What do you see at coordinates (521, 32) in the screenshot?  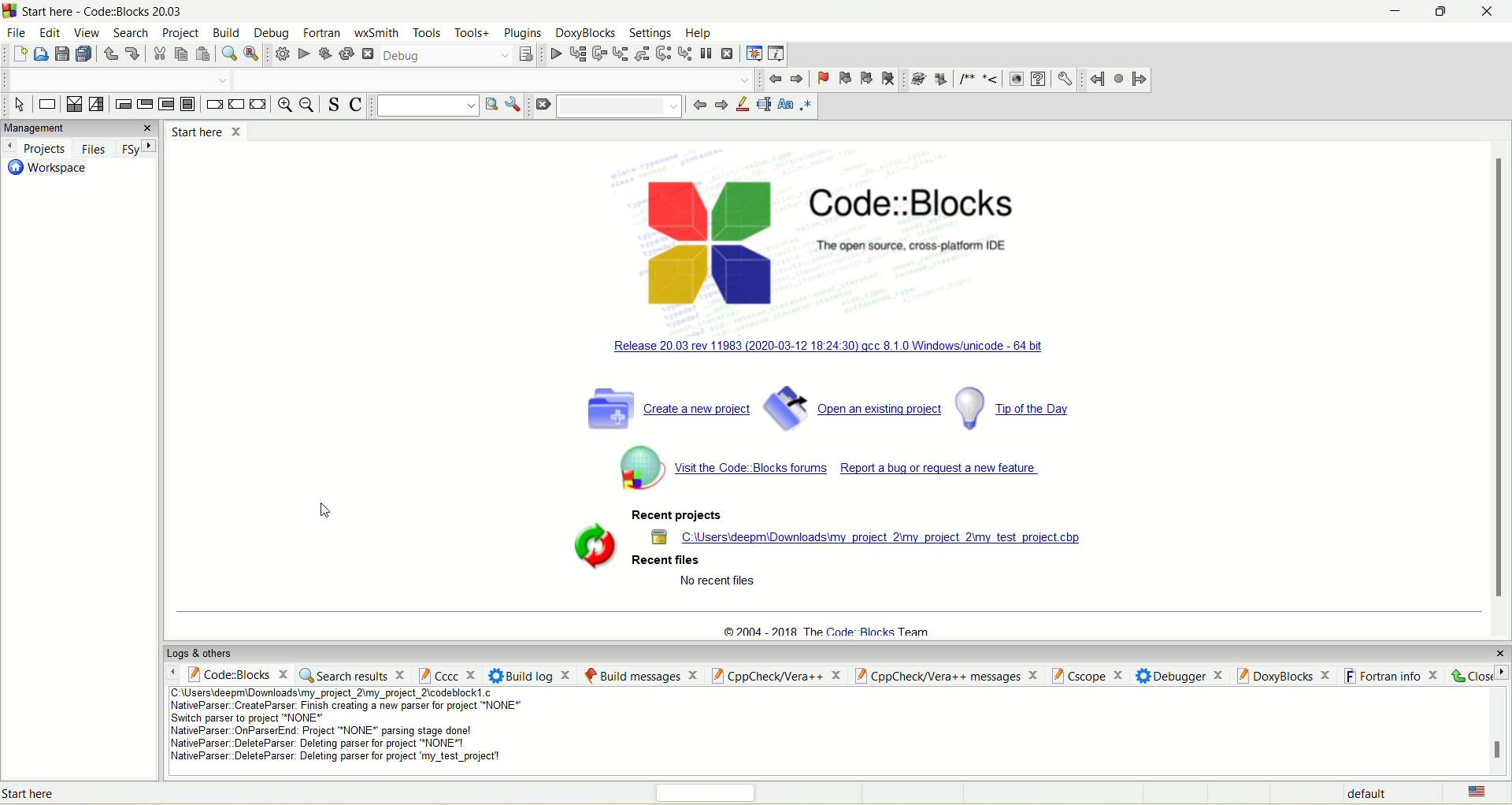 I see `plugins` at bounding box center [521, 32].